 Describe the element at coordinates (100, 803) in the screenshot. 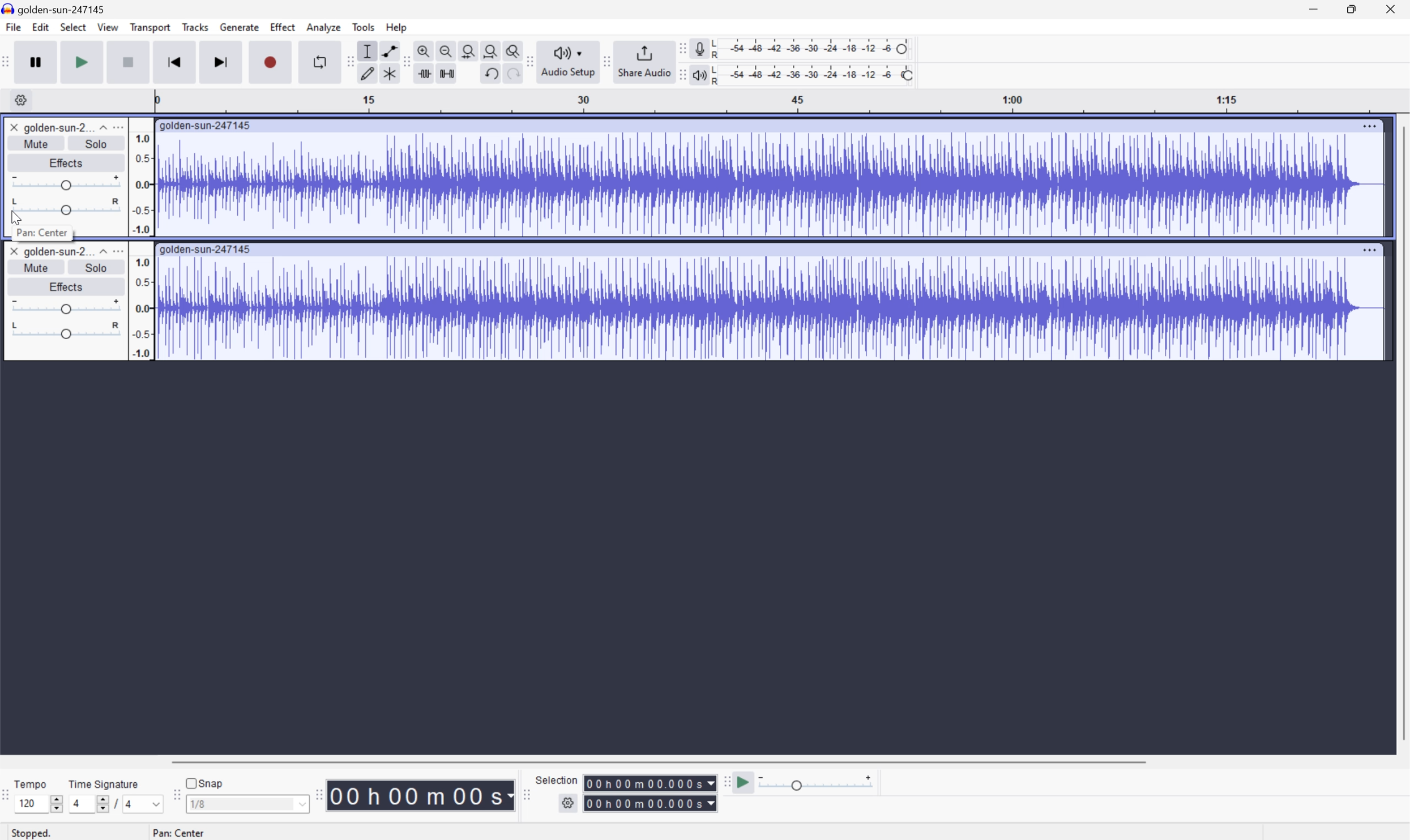

I see `Slider` at that location.